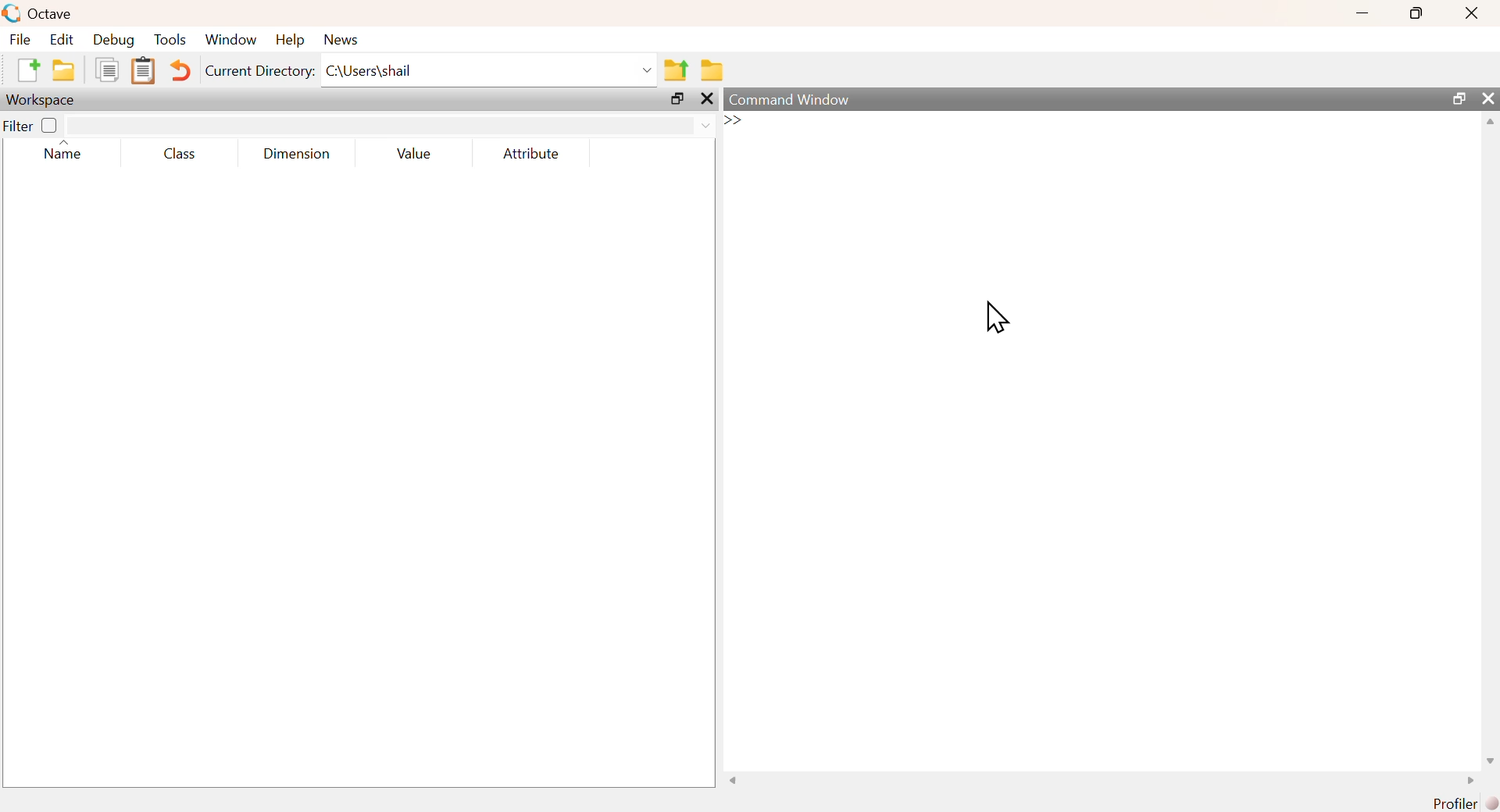  I want to click on scroll up, so click(1488, 124).